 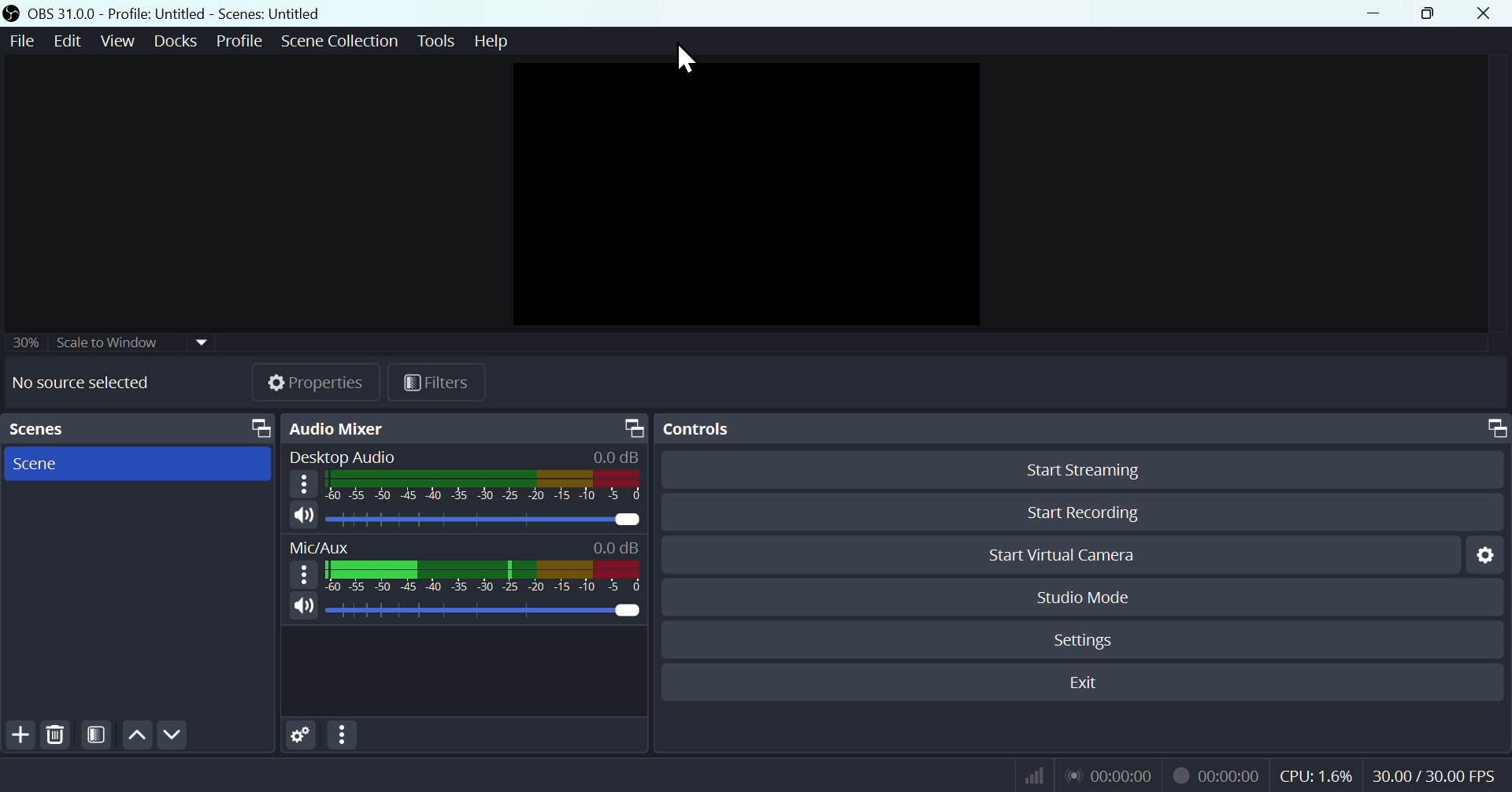 What do you see at coordinates (1216, 775) in the screenshot?
I see `Recording Status` at bounding box center [1216, 775].